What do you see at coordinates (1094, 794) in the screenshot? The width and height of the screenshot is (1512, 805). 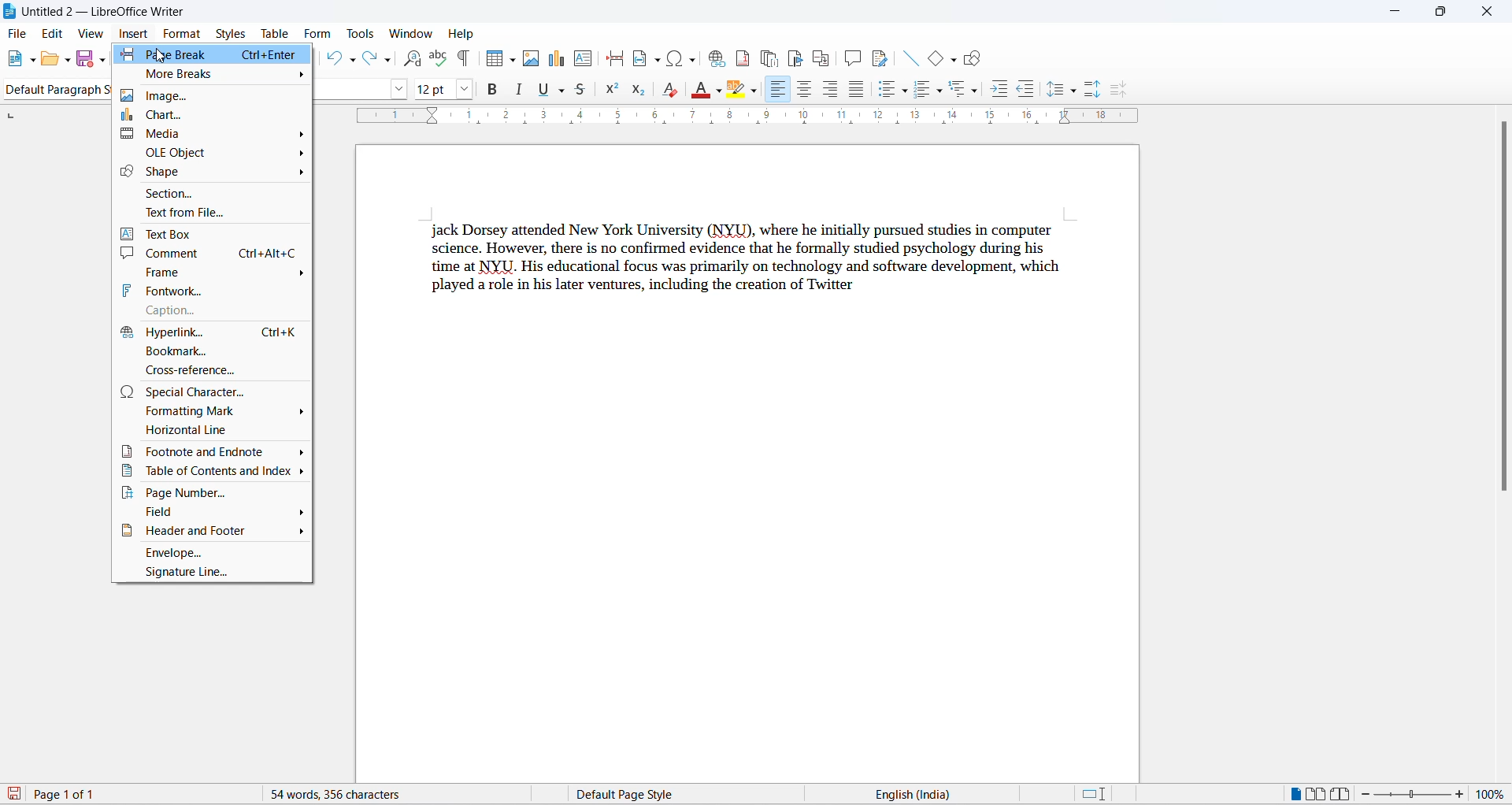 I see `standard selection` at bounding box center [1094, 794].